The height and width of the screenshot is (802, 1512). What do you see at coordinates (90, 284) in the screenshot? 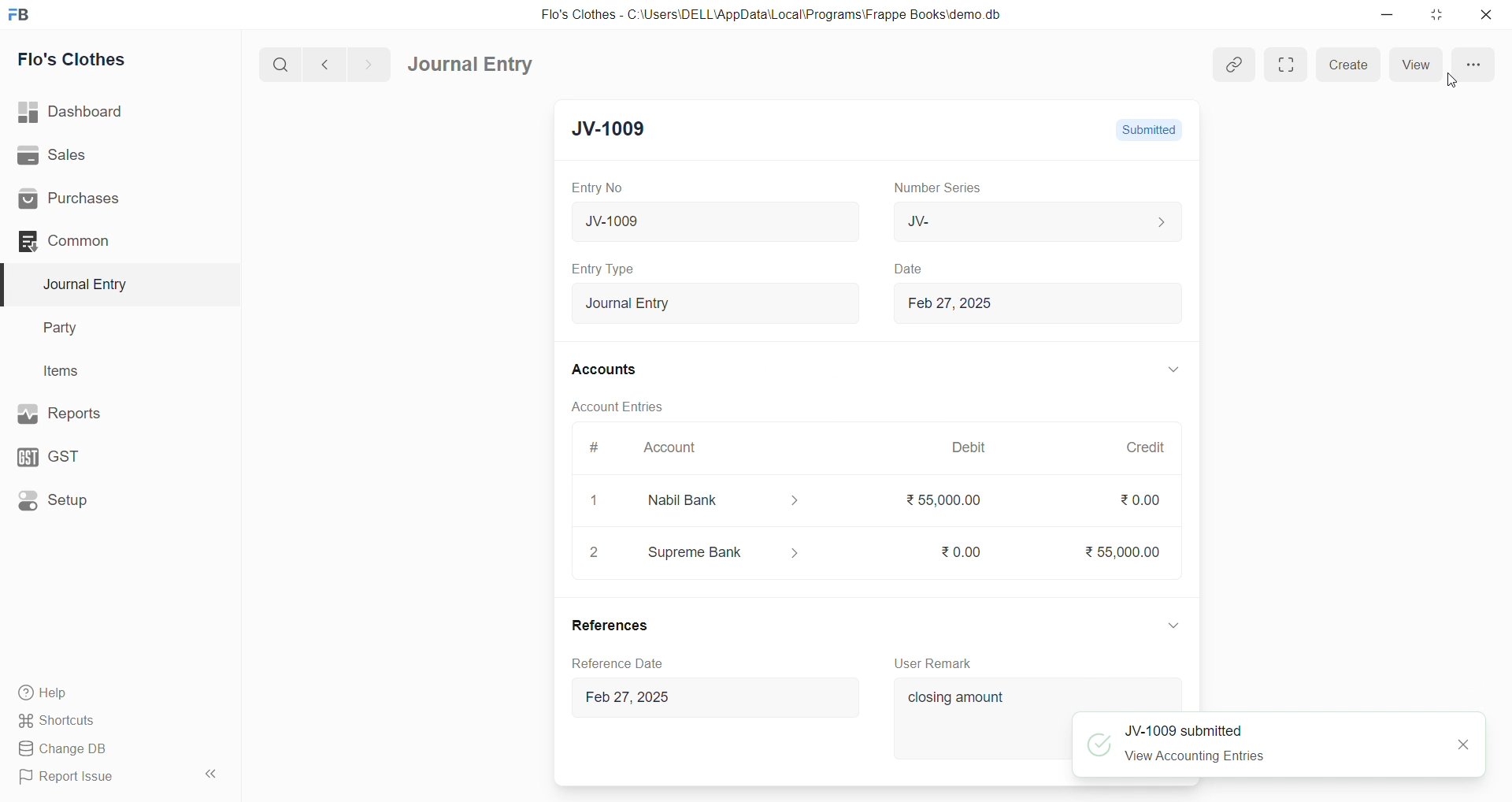
I see `Journal Entry` at bounding box center [90, 284].